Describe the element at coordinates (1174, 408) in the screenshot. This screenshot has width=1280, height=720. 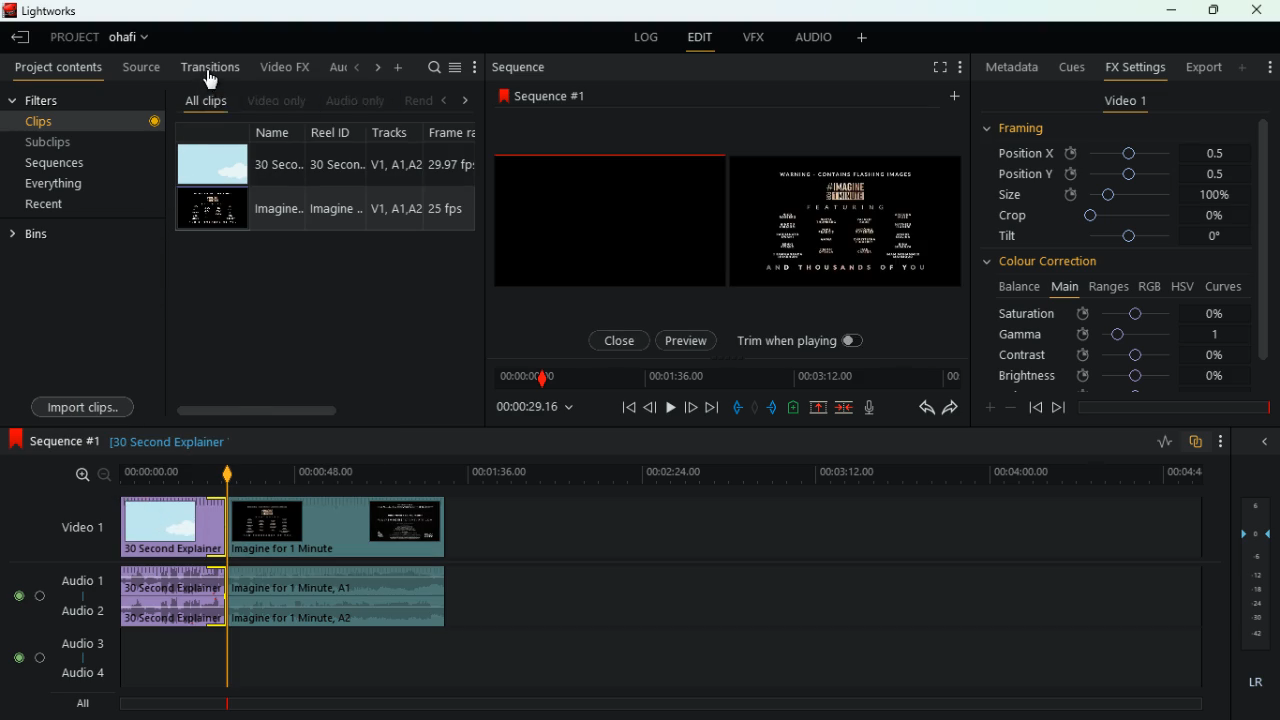
I see `time frame` at that location.